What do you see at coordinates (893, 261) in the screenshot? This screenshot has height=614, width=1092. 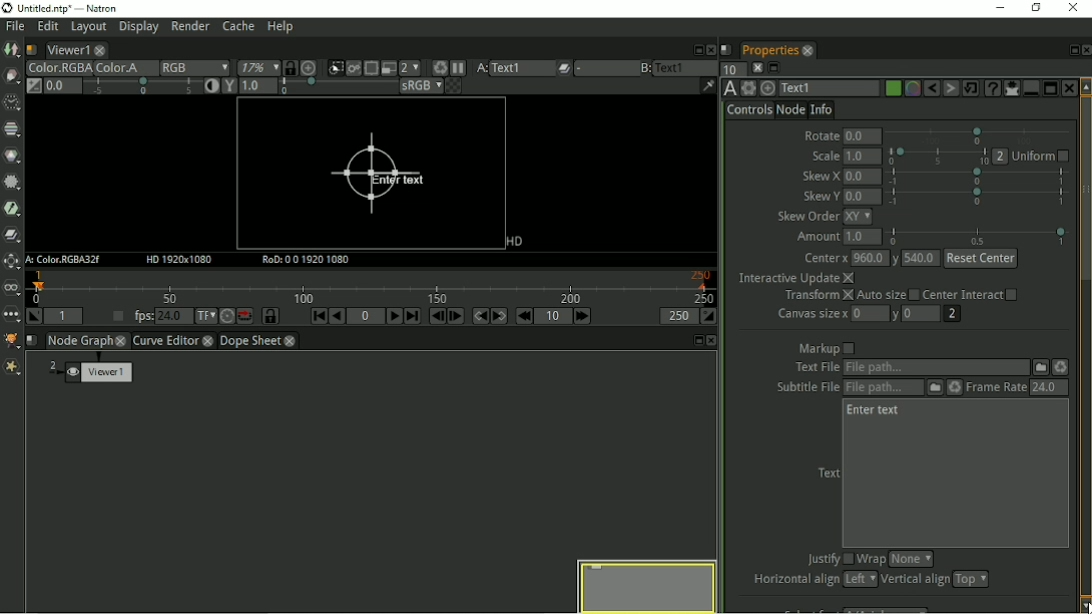 I see `y` at bounding box center [893, 261].